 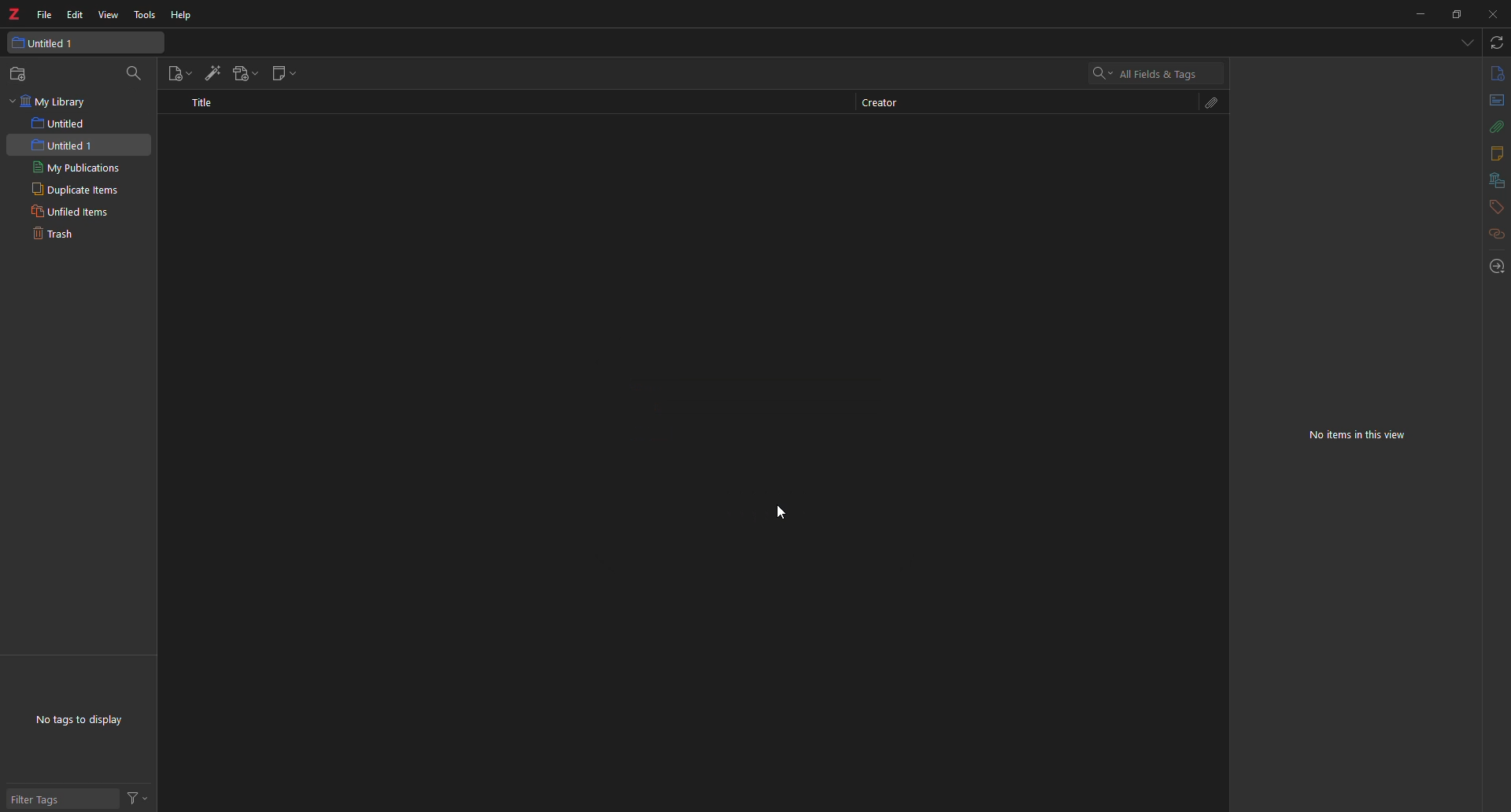 I want to click on Close, so click(x=1491, y=14).